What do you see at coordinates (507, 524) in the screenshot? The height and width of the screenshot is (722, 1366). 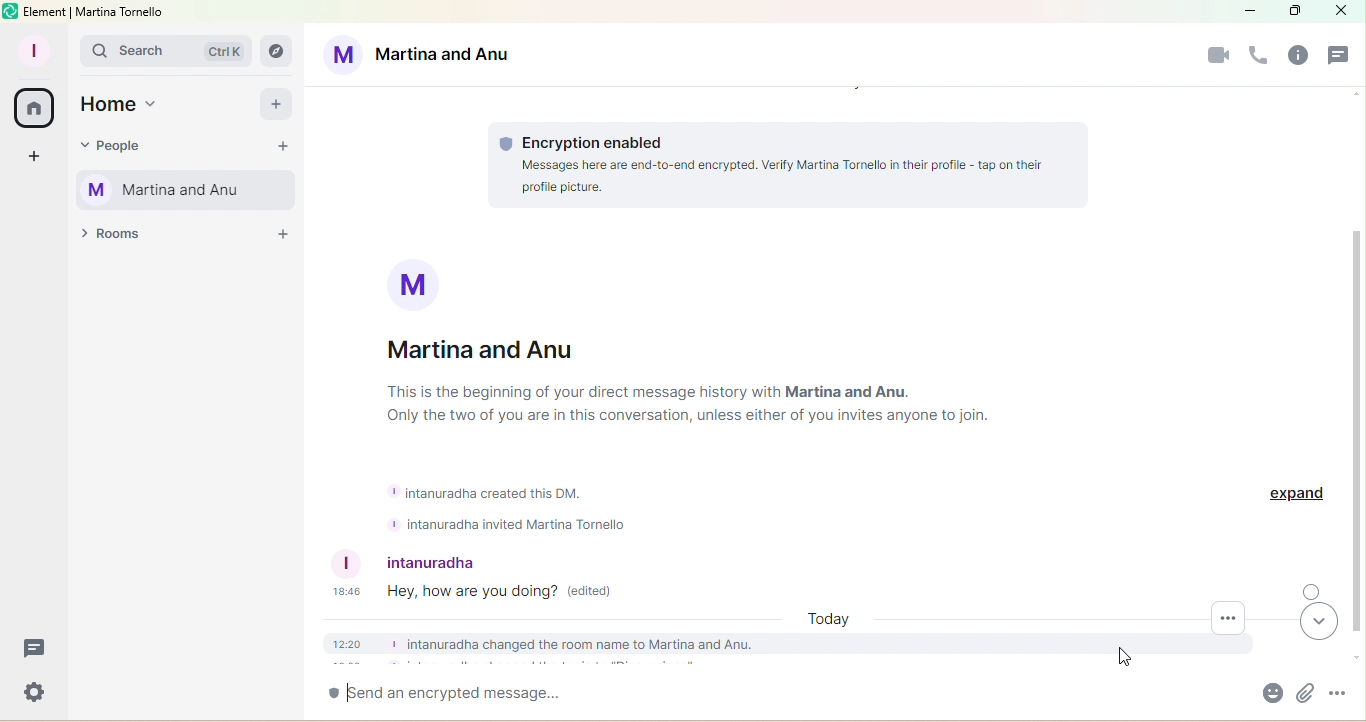 I see `+ intanuradha invited Martina Tornello` at bounding box center [507, 524].